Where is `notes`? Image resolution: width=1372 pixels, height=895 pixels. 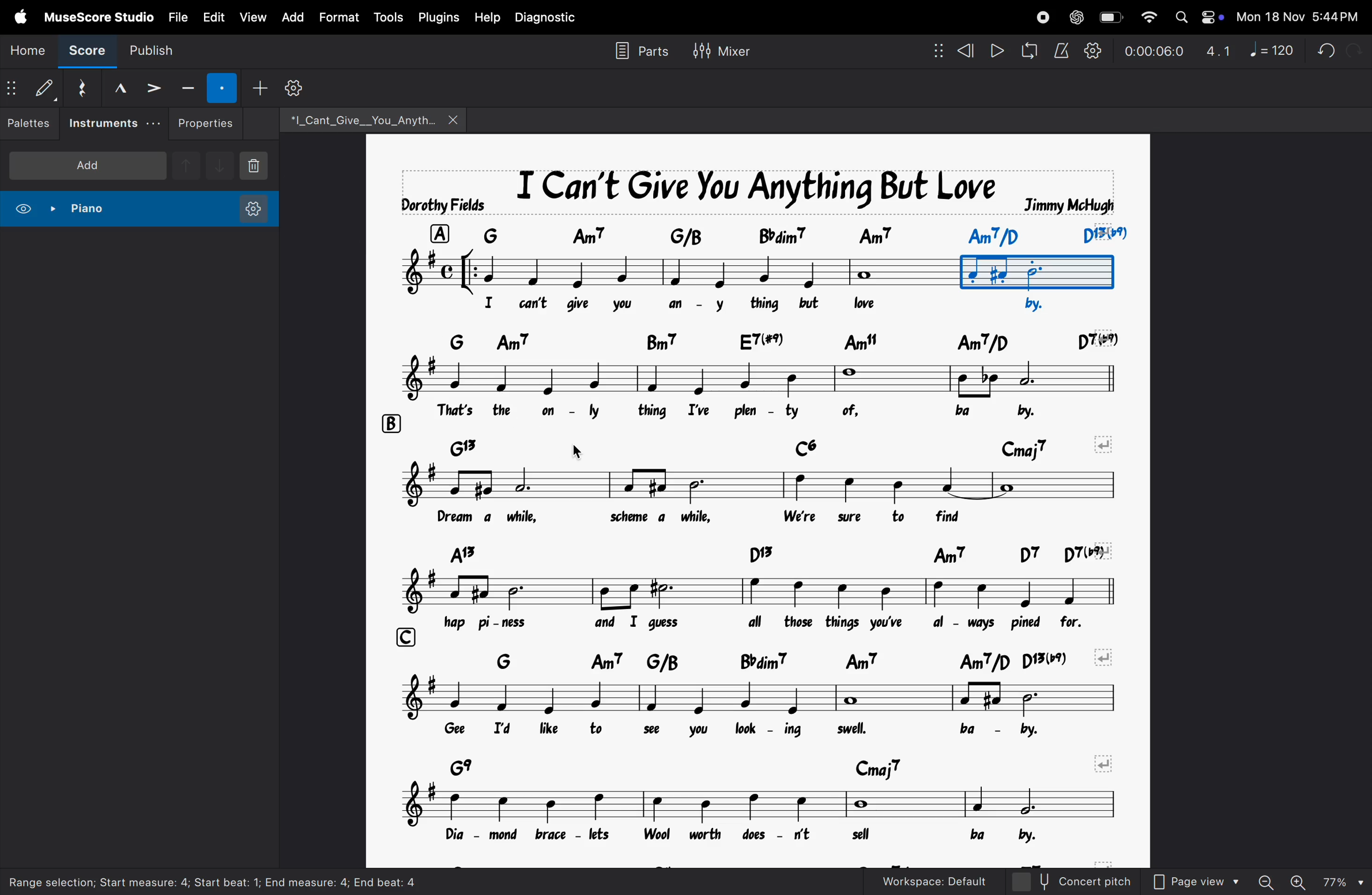
notes is located at coordinates (767, 379).